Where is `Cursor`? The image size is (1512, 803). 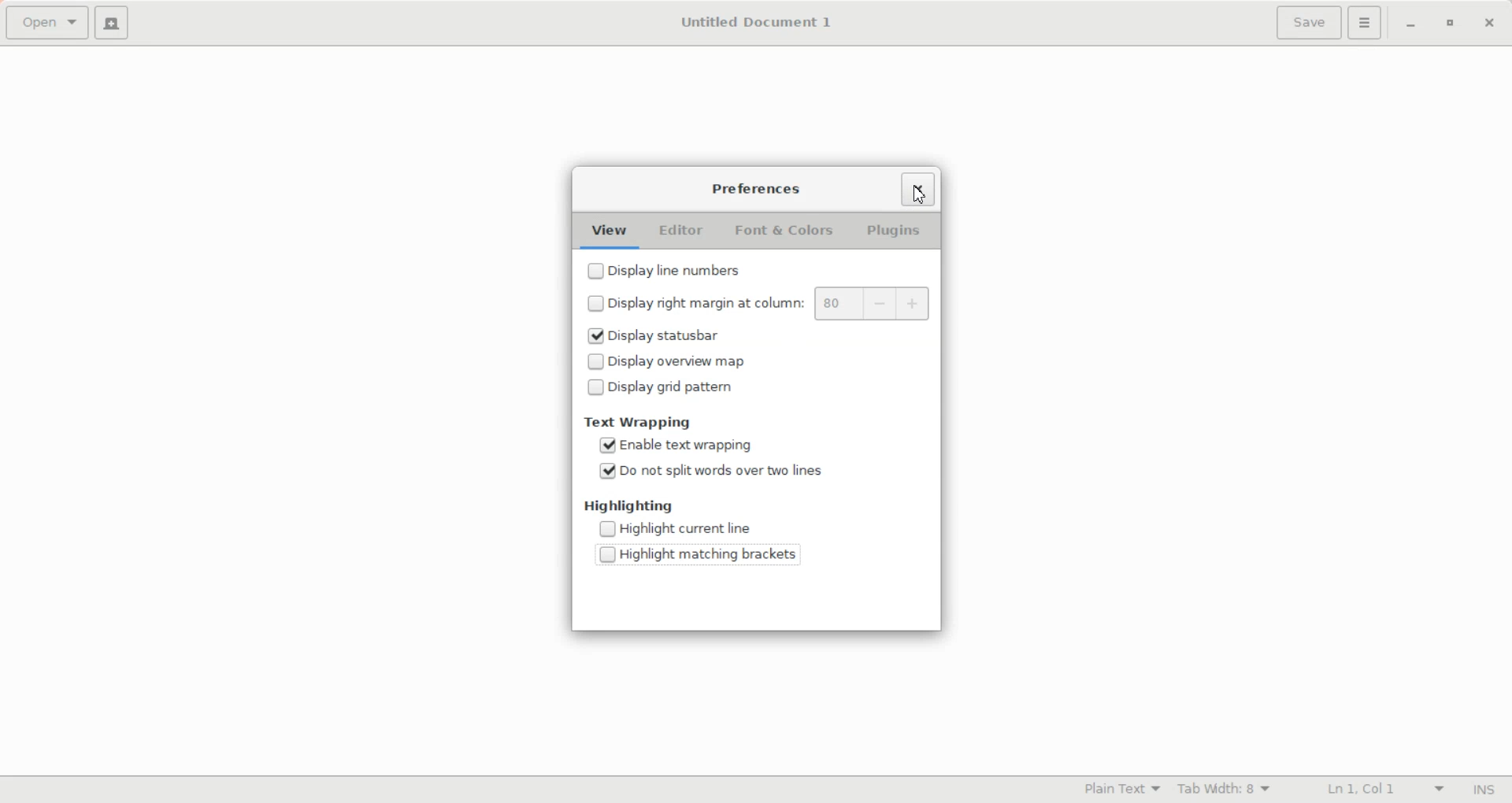 Cursor is located at coordinates (921, 194).